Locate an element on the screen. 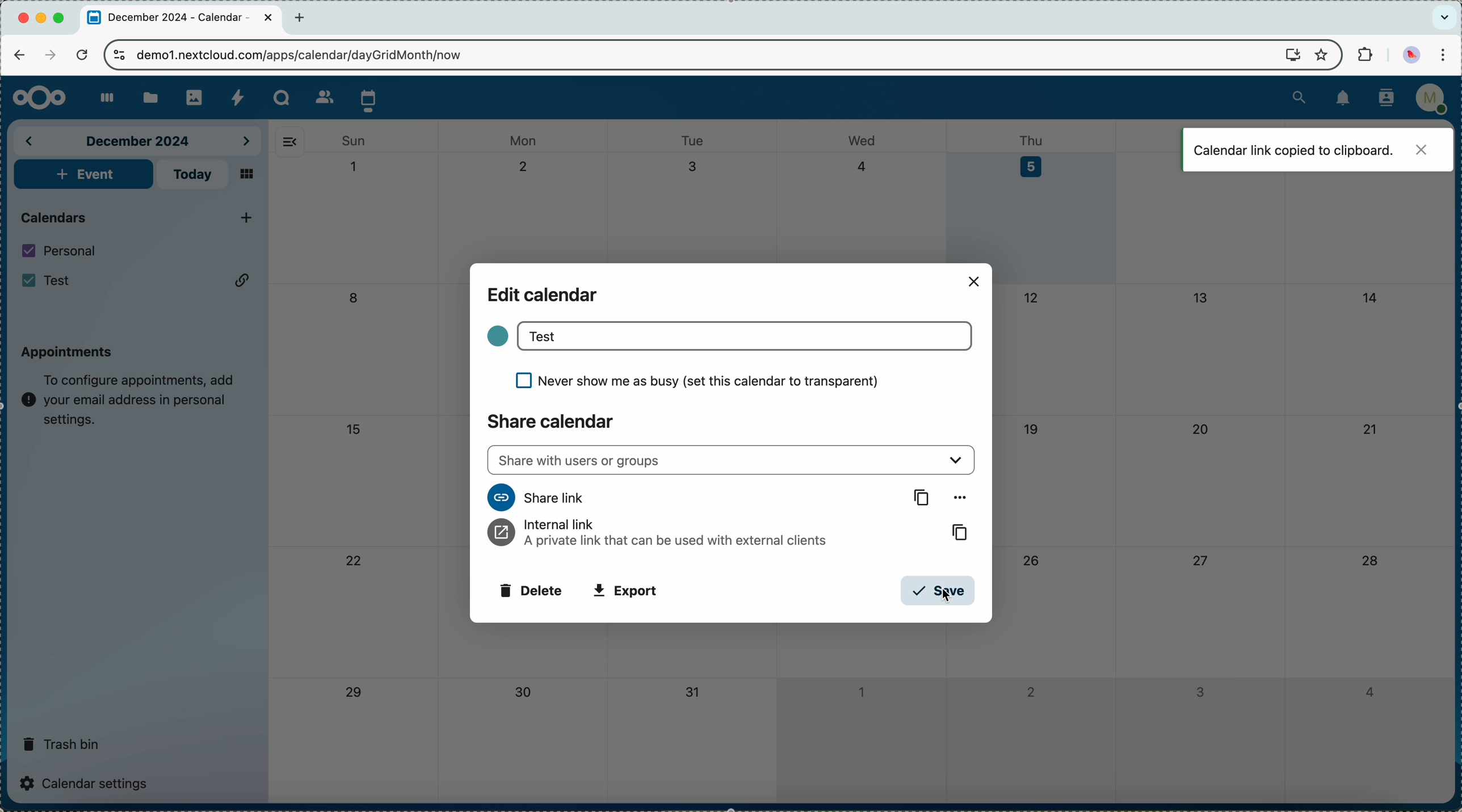 Image resolution: width=1462 pixels, height=812 pixels. close popup is located at coordinates (975, 281).